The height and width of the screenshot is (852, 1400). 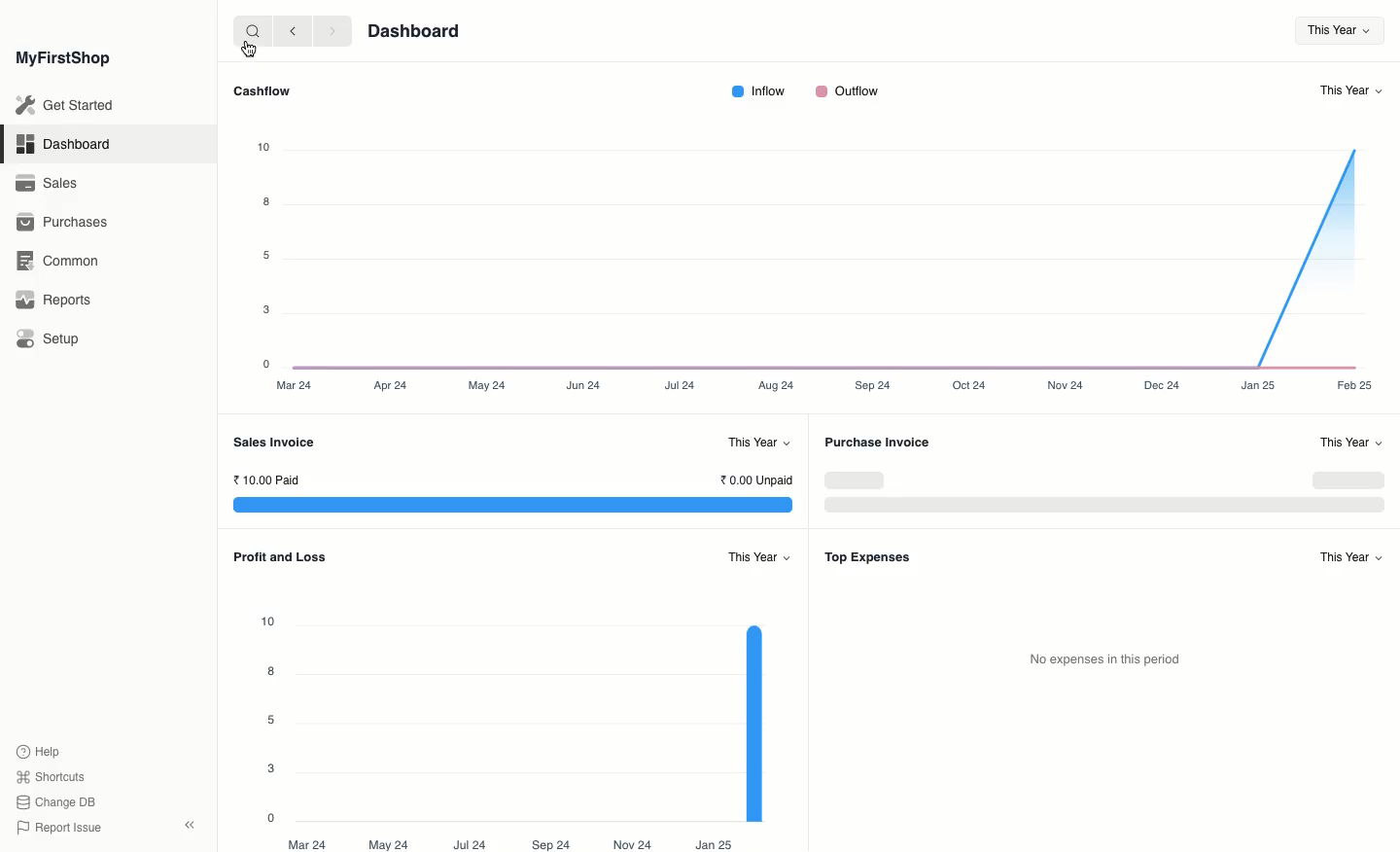 I want to click on Jan 25, so click(x=709, y=842).